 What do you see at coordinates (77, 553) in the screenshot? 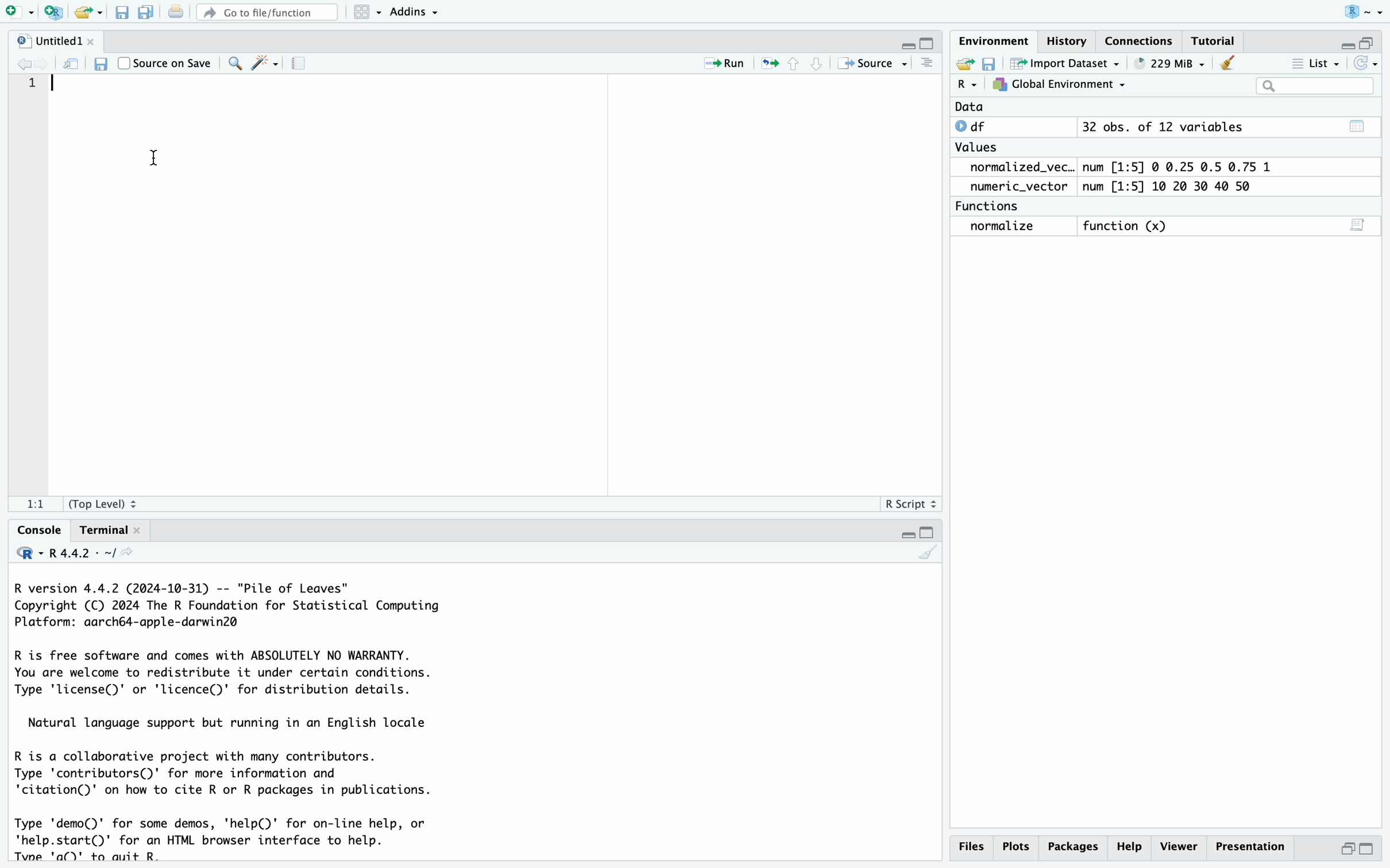
I see `R 4.4.2 . ~/` at bounding box center [77, 553].